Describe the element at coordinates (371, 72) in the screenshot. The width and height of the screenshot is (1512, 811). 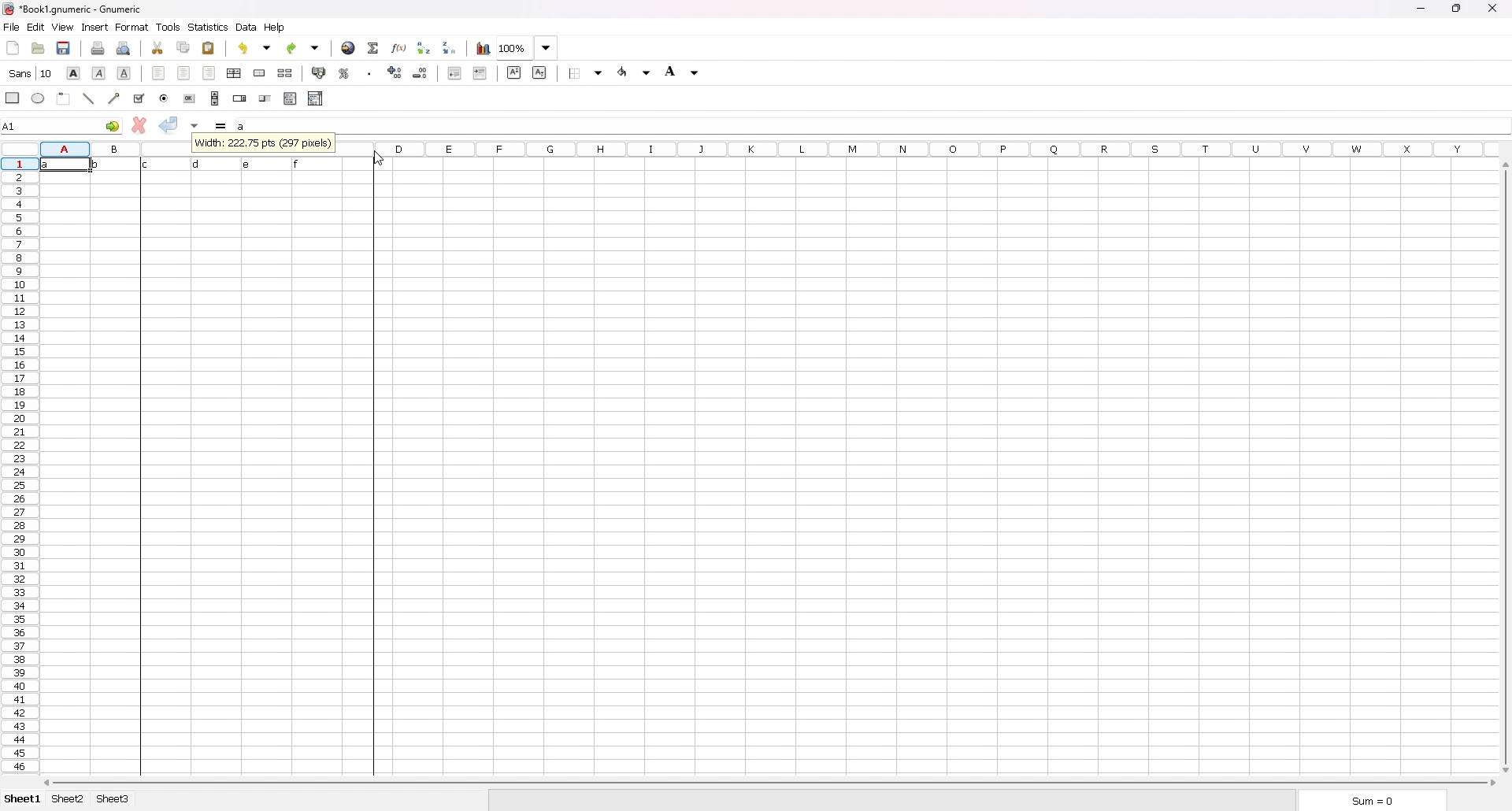
I see `thousands separator` at that location.